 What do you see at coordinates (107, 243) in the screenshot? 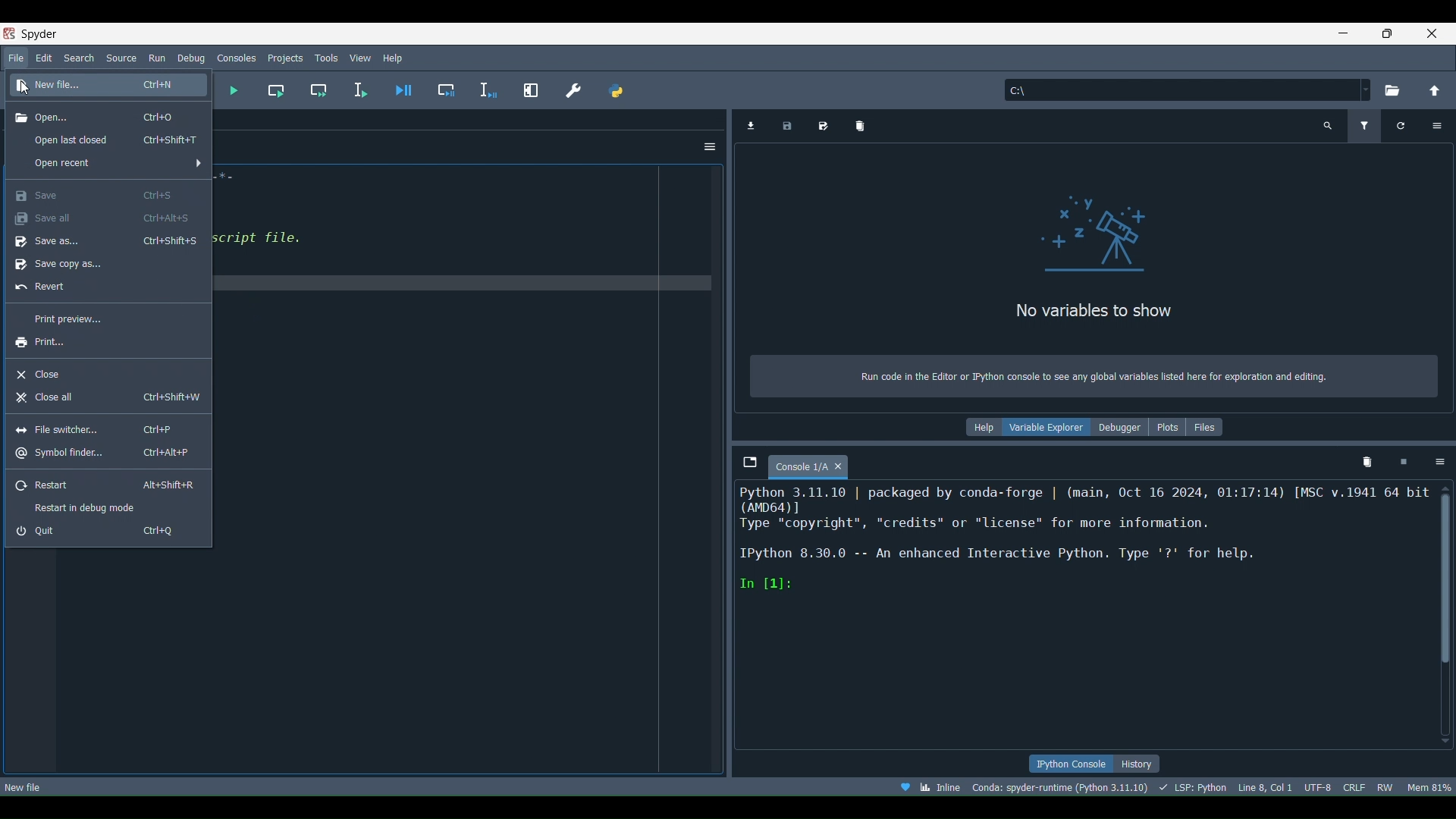
I see `Save as ` at bounding box center [107, 243].